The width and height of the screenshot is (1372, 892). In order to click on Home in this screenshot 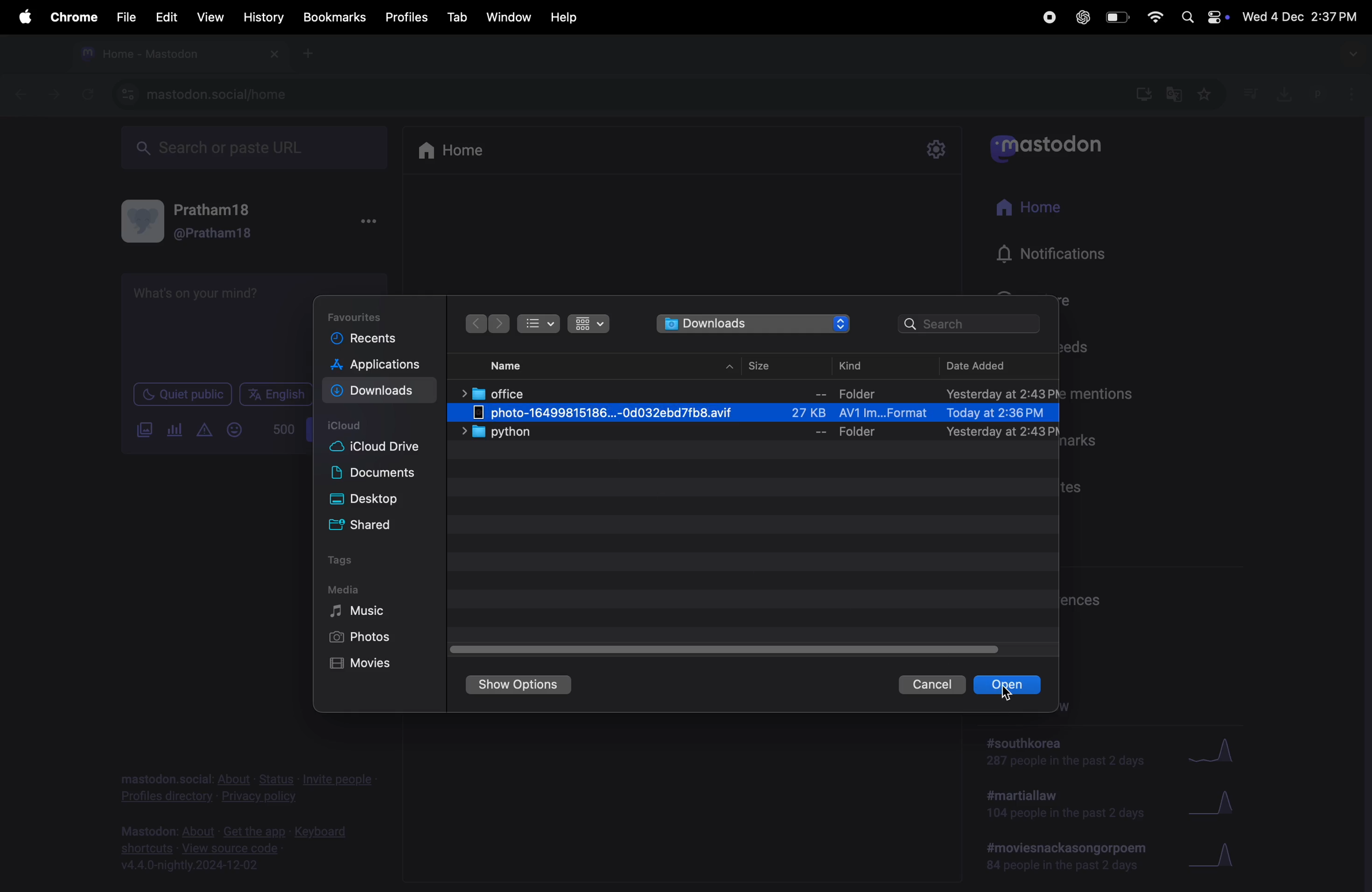, I will do `click(453, 149)`.